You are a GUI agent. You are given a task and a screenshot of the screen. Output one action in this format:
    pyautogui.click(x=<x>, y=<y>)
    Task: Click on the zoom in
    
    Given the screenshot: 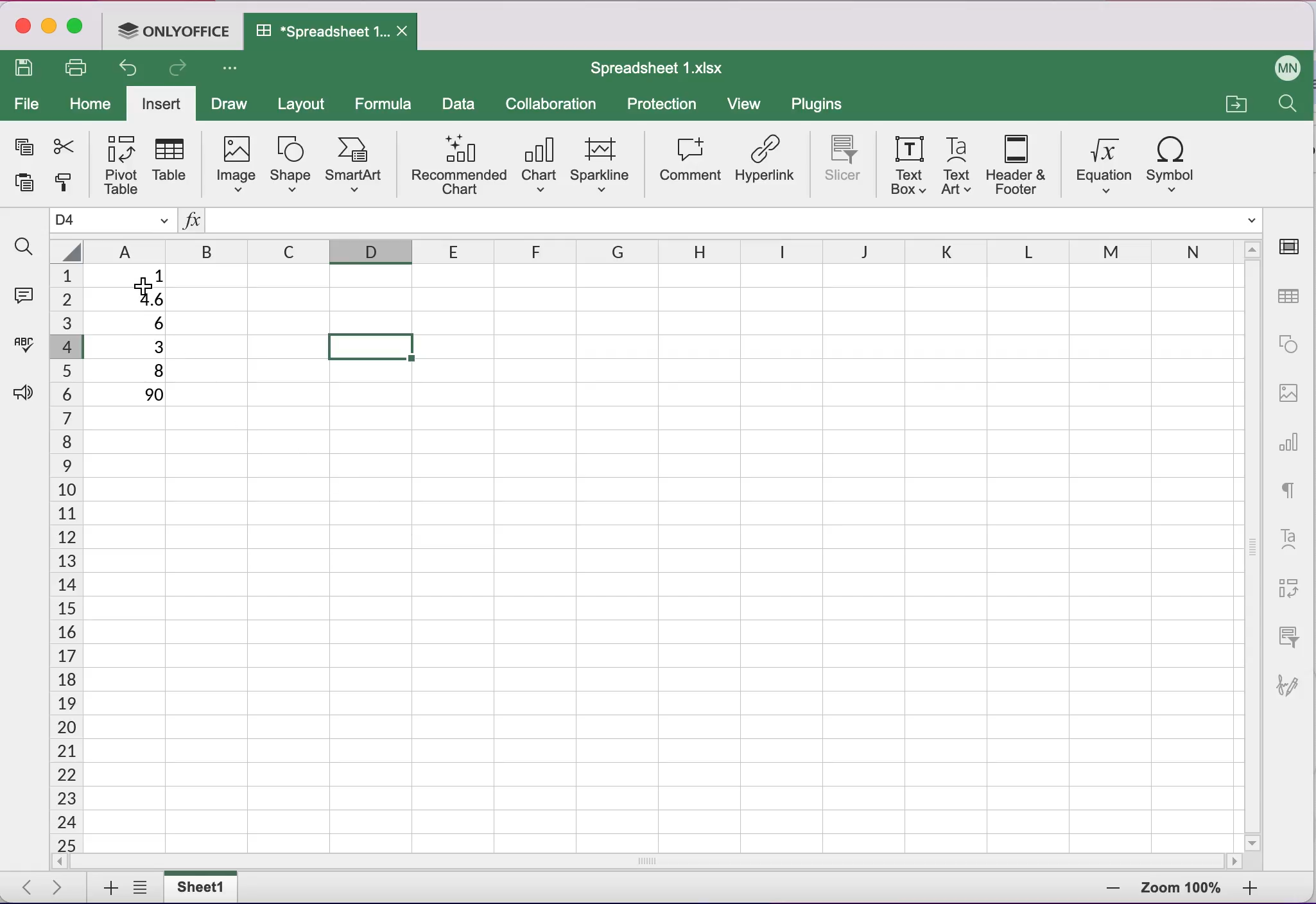 What is the action you would take?
    pyautogui.click(x=1252, y=888)
    